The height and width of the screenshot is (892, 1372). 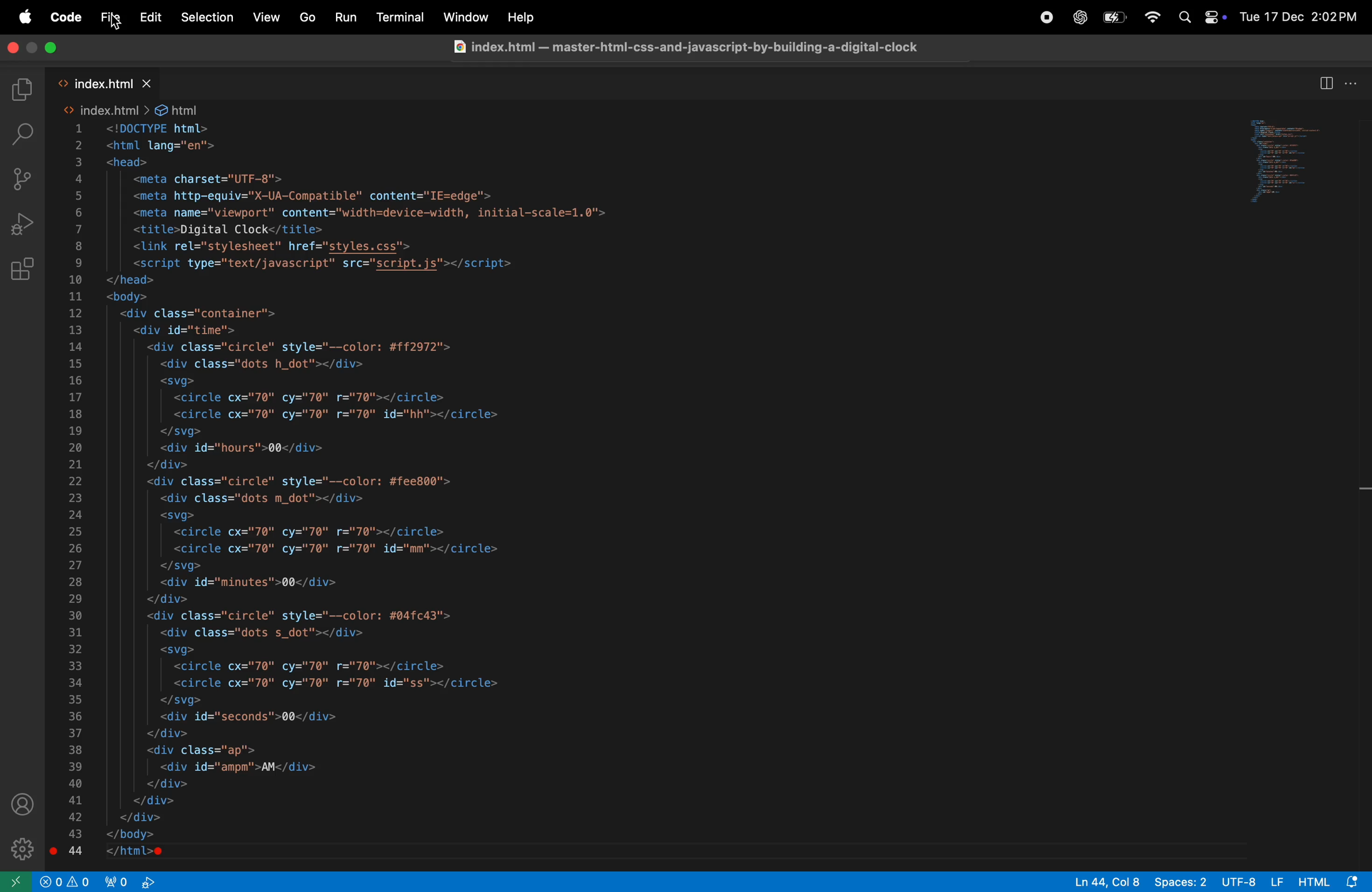 What do you see at coordinates (22, 273) in the screenshot?
I see `extensions` at bounding box center [22, 273].